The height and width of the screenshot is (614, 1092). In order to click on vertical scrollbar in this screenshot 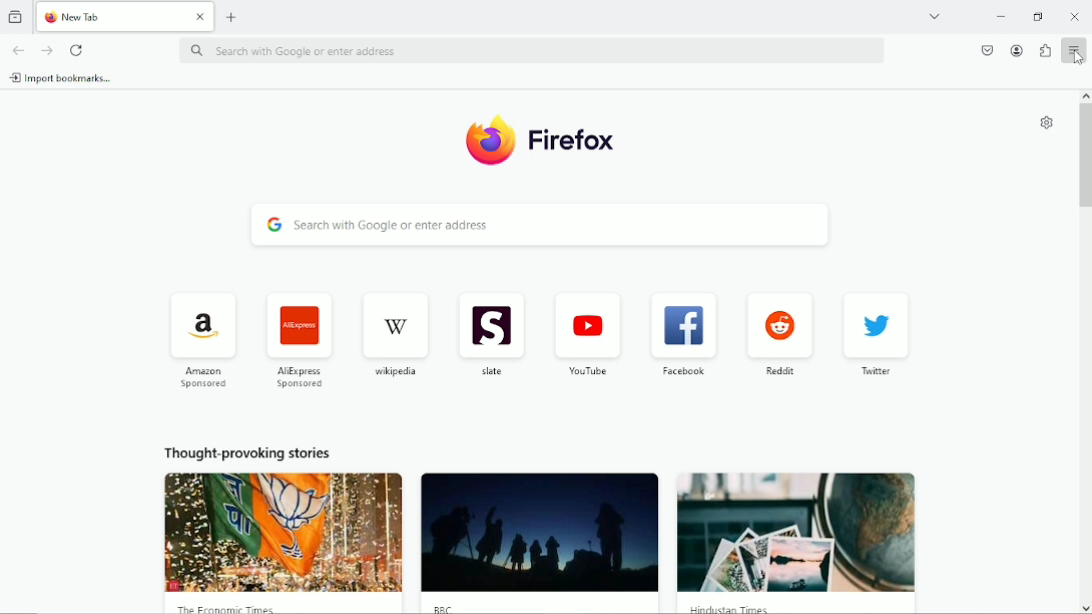, I will do `click(1085, 351)`.